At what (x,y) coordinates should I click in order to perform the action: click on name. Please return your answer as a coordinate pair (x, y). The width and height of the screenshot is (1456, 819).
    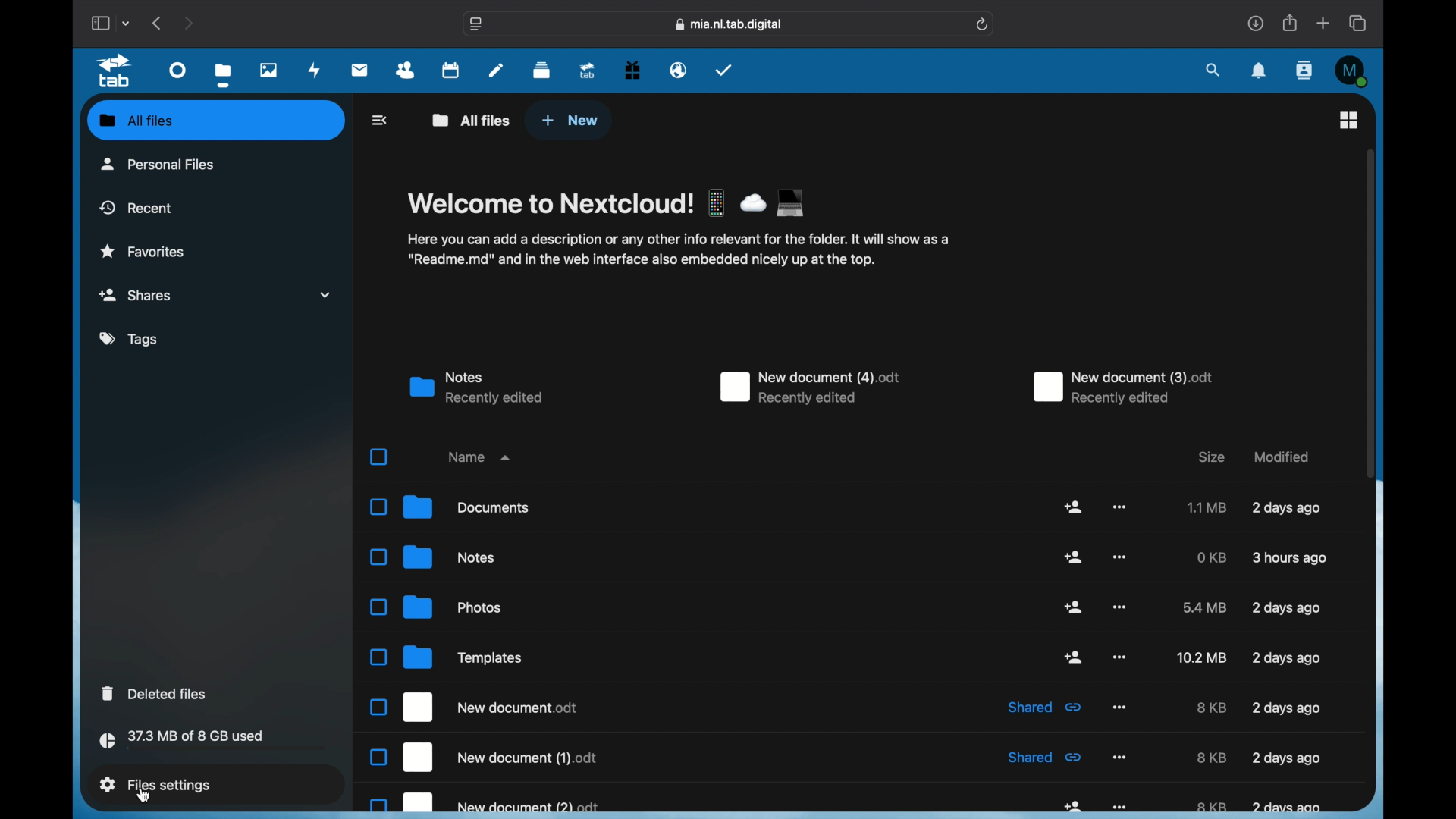
    Looking at the image, I should click on (479, 457).